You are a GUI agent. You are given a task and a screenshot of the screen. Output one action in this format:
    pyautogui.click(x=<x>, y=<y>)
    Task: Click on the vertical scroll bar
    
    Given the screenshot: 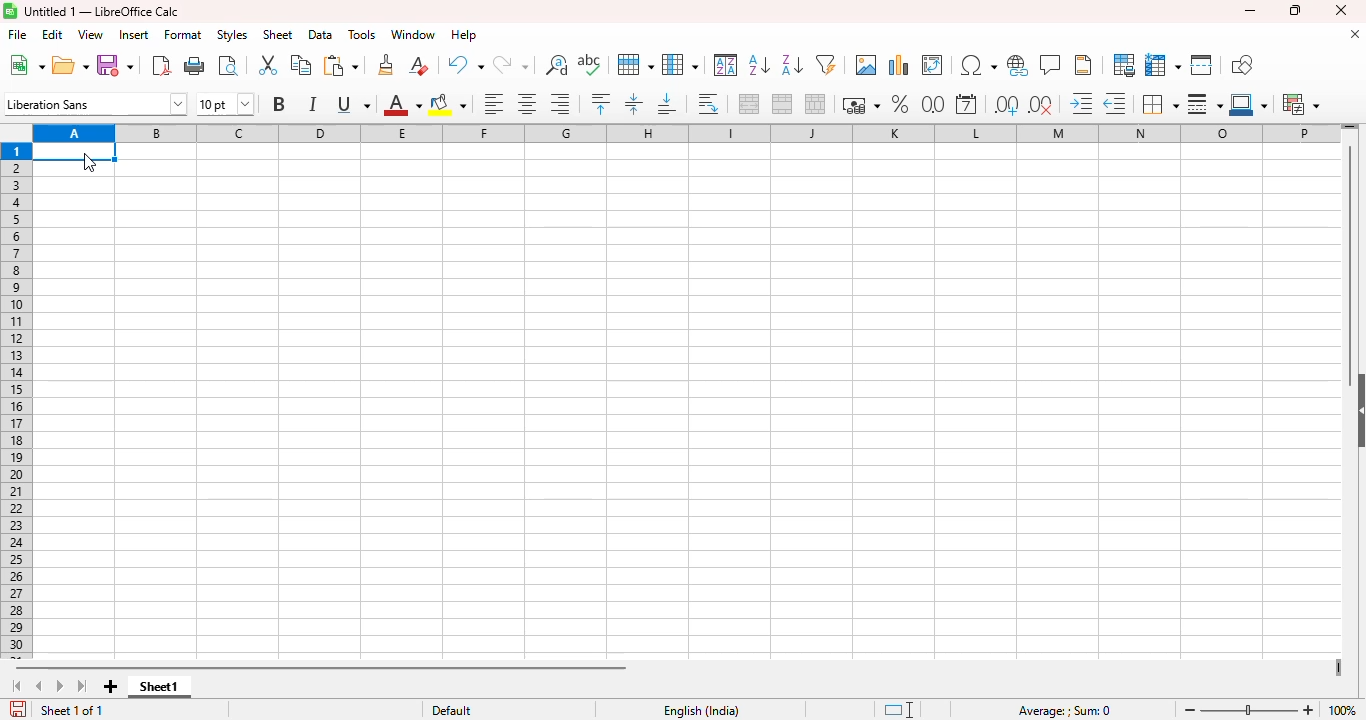 What is the action you would take?
    pyautogui.click(x=1351, y=262)
    